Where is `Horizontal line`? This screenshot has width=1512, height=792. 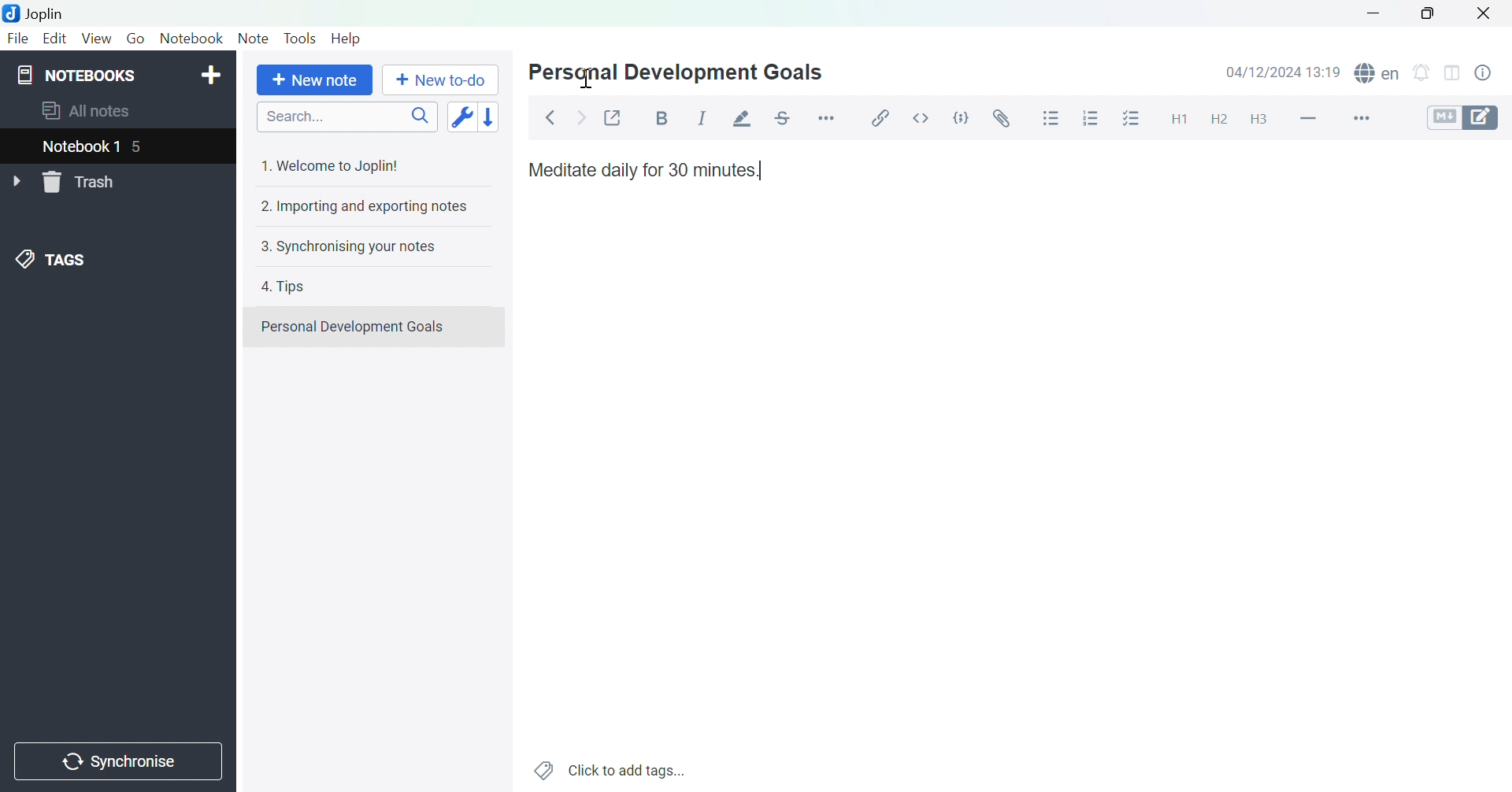
Horizontal line is located at coordinates (1308, 118).